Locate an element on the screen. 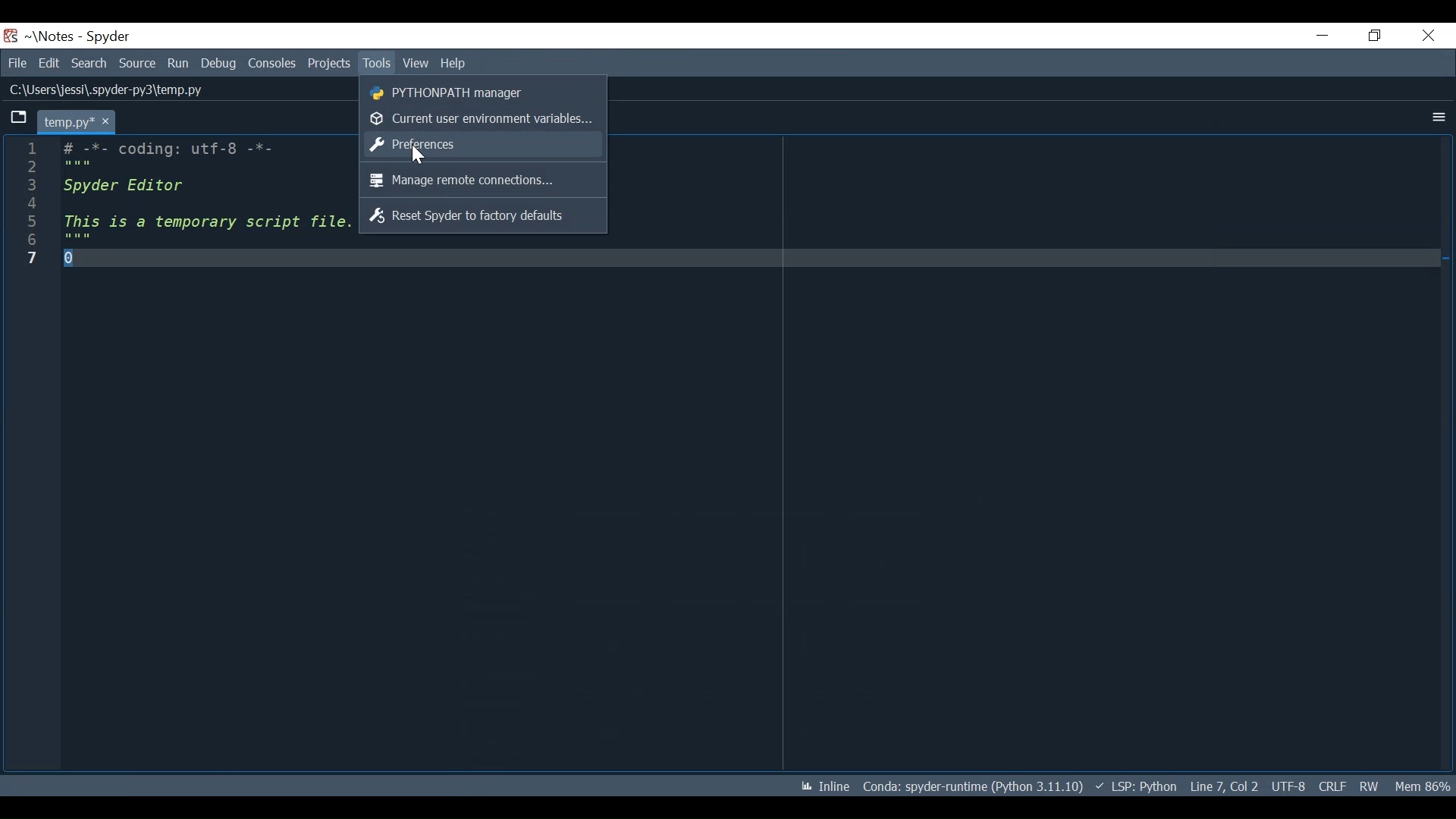  Preferences is located at coordinates (473, 146).